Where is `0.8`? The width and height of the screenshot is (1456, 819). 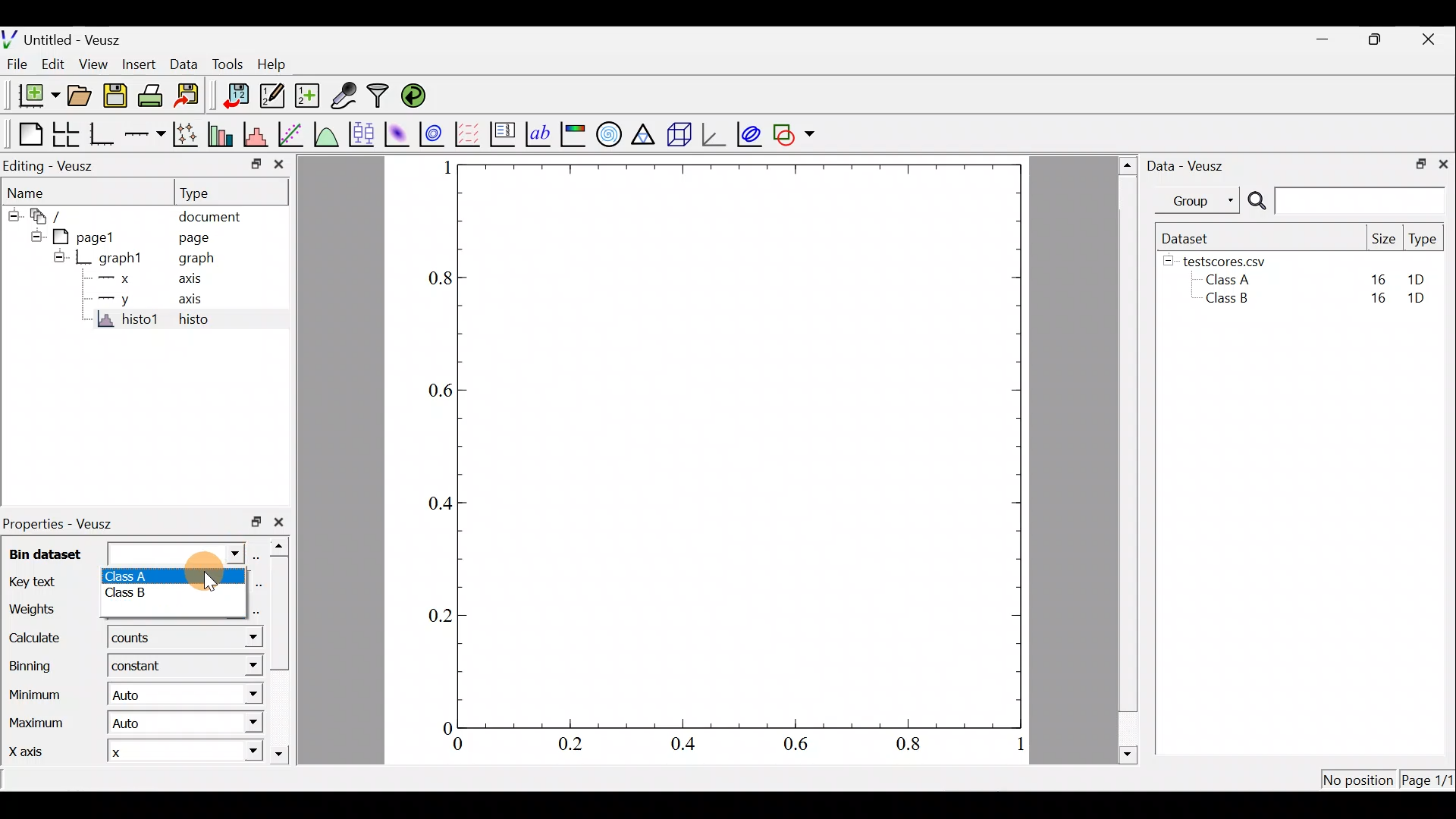
0.8 is located at coordinates (435, 278).